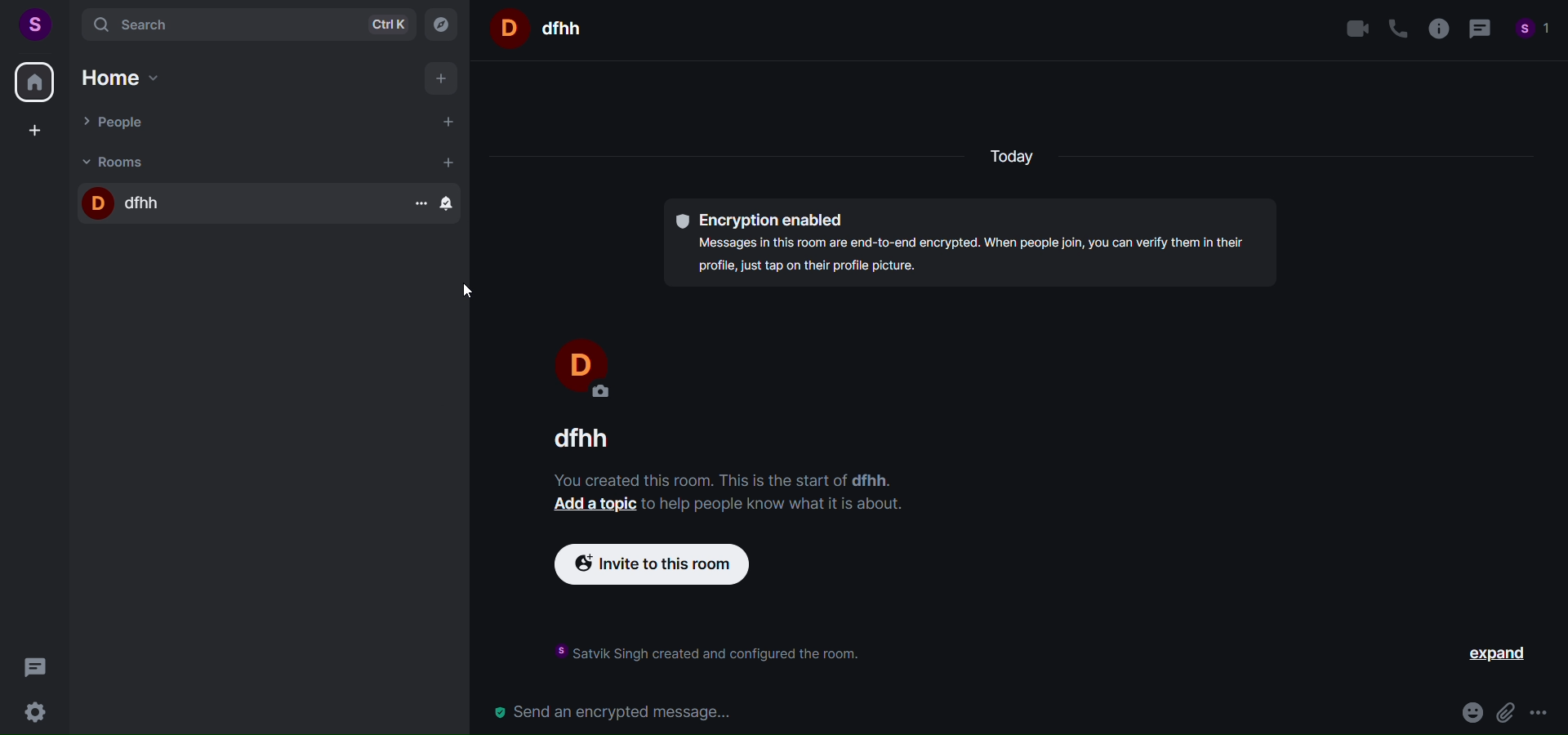 The image size is (1568, 735). What do you see at coordinates (33, 668) in the screenshot?
I see `threads` at bounding box center [33, 668].